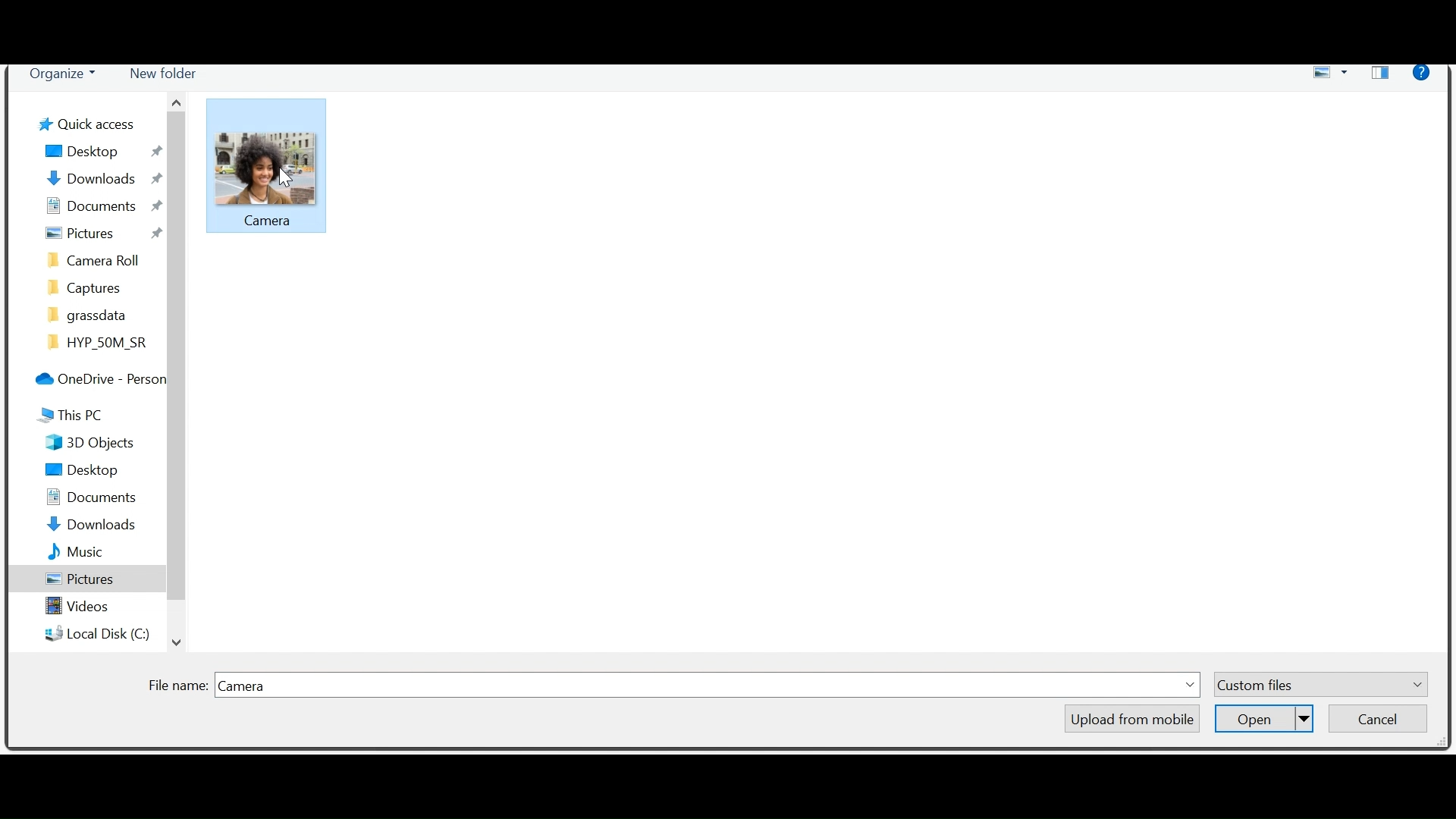 Image resolution: width=1456 pixels, height=819 pixels. Describe the element at coordinates (93, 378) in the screenshot. I see `OneDrive` at that location.